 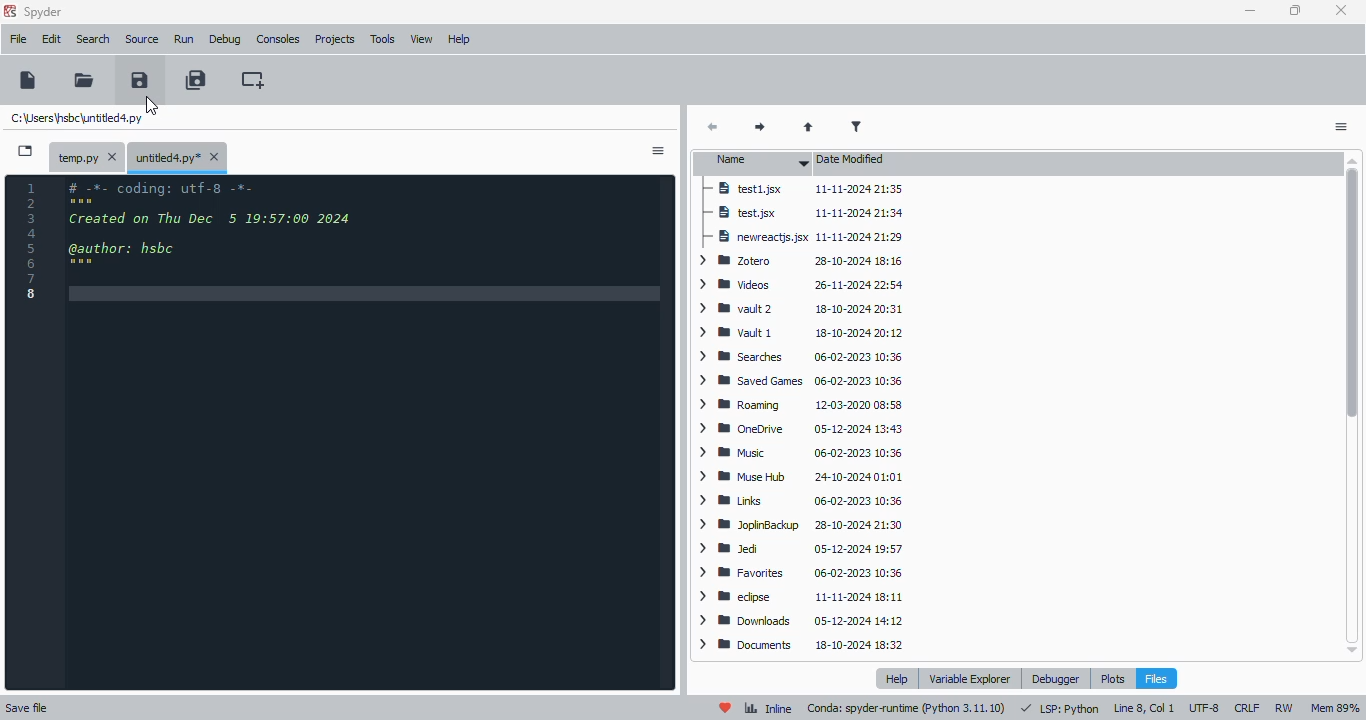 What do you see at coordinates (177, 157) in the screenshot?
I see `untitled4.py` at bounding box center [177, 157].